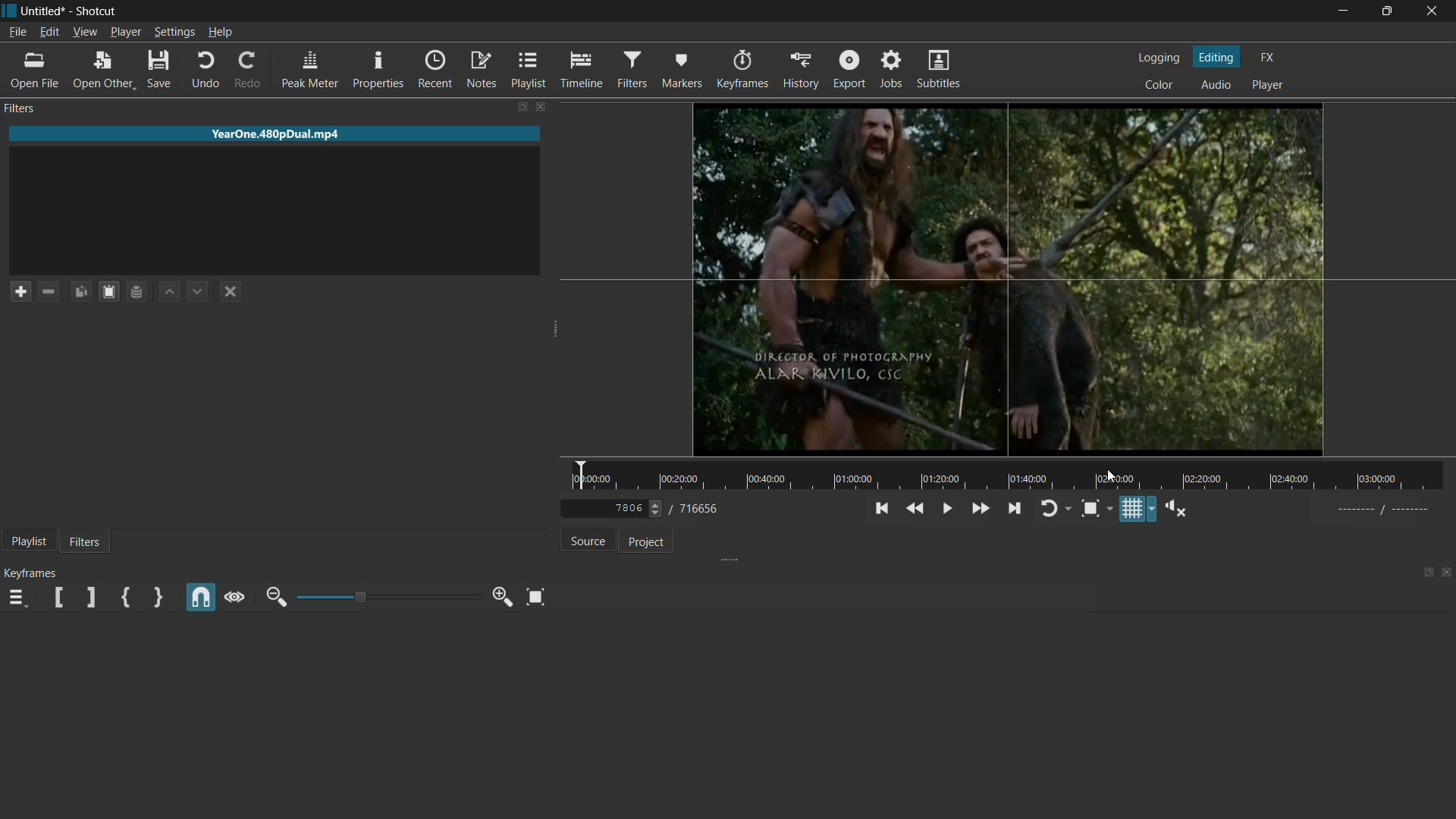  I want to click on filters, so click(632, 70).